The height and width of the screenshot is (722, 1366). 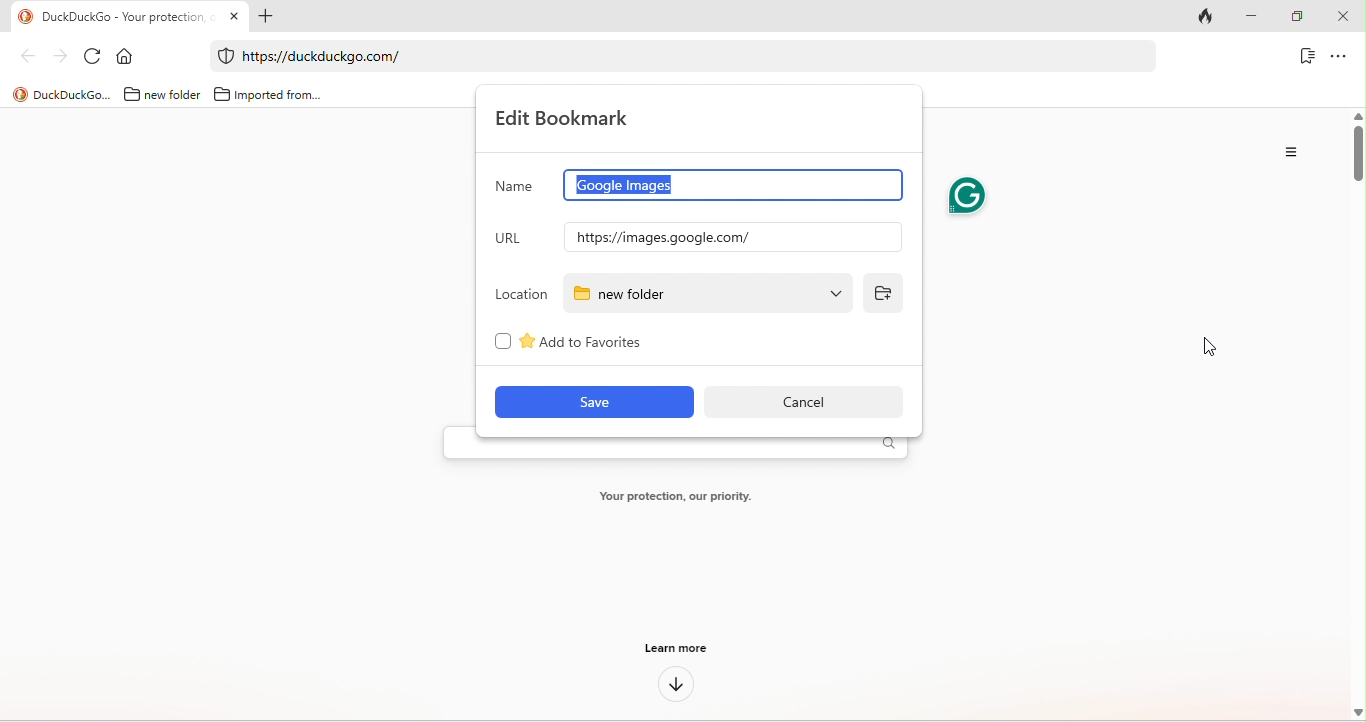 I want to click on close, so click(x=1346, y=17).